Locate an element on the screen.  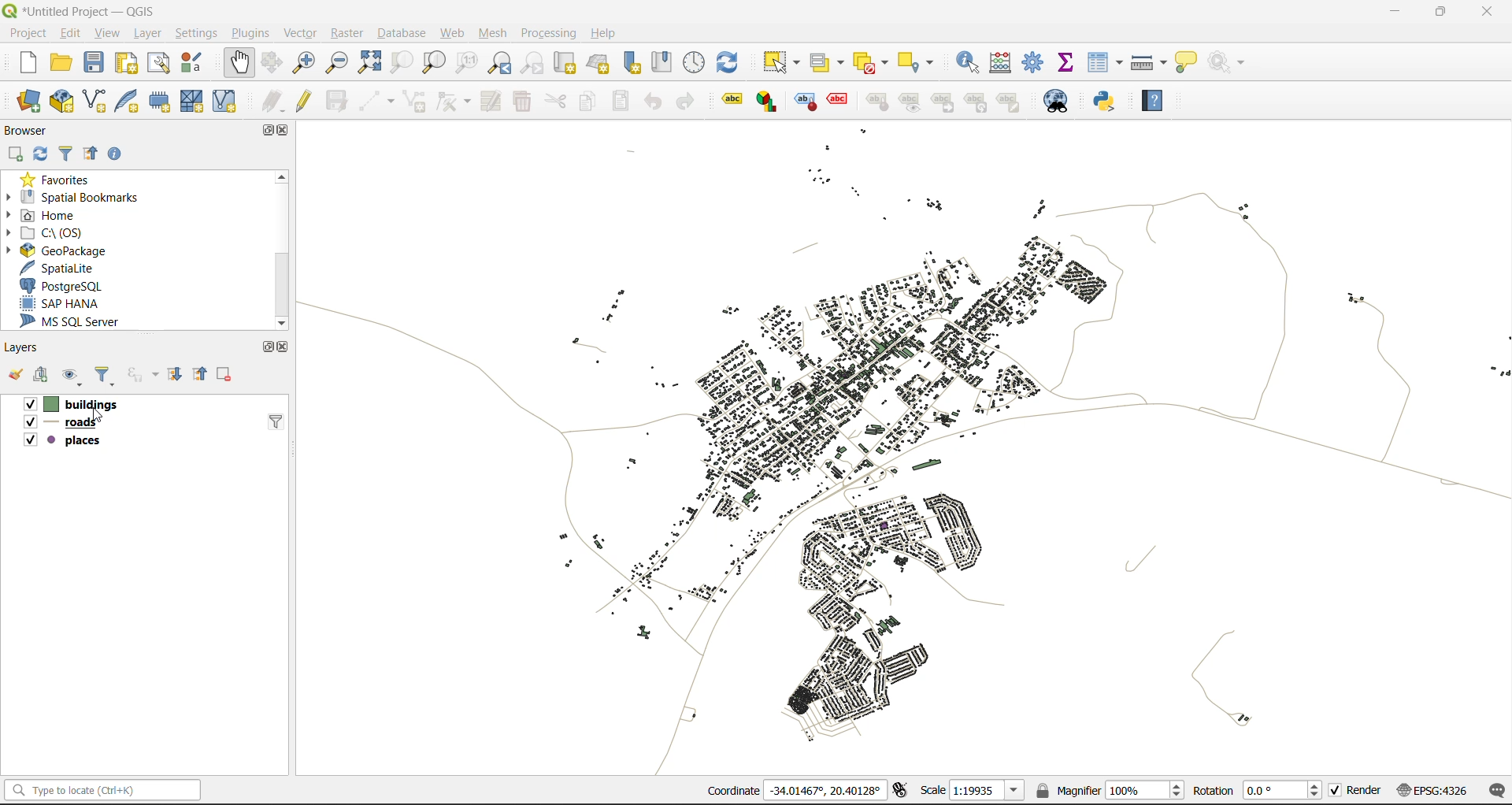
edits is located at coordinates (273, 99).